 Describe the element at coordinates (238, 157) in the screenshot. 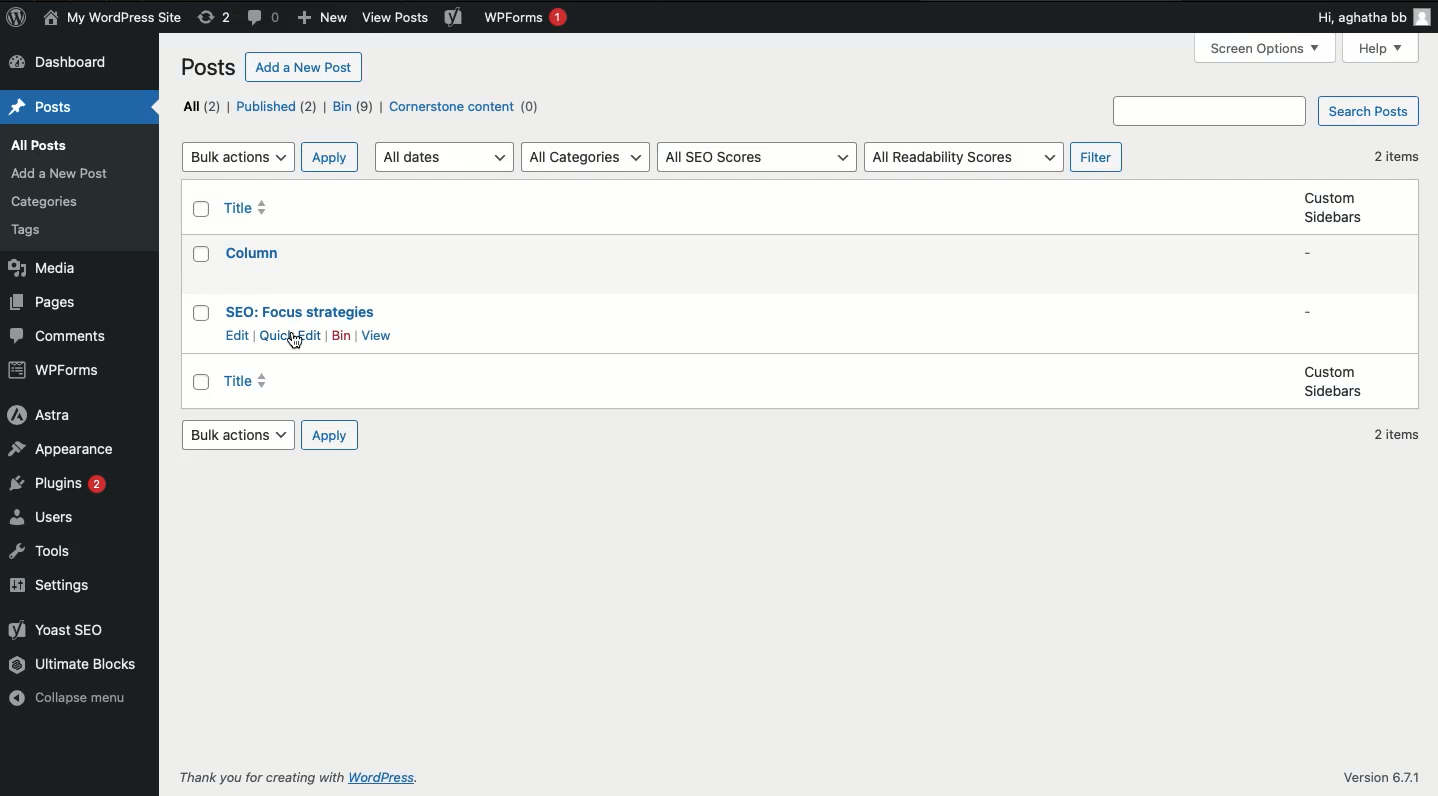

I see `Bulk actions` at that location.